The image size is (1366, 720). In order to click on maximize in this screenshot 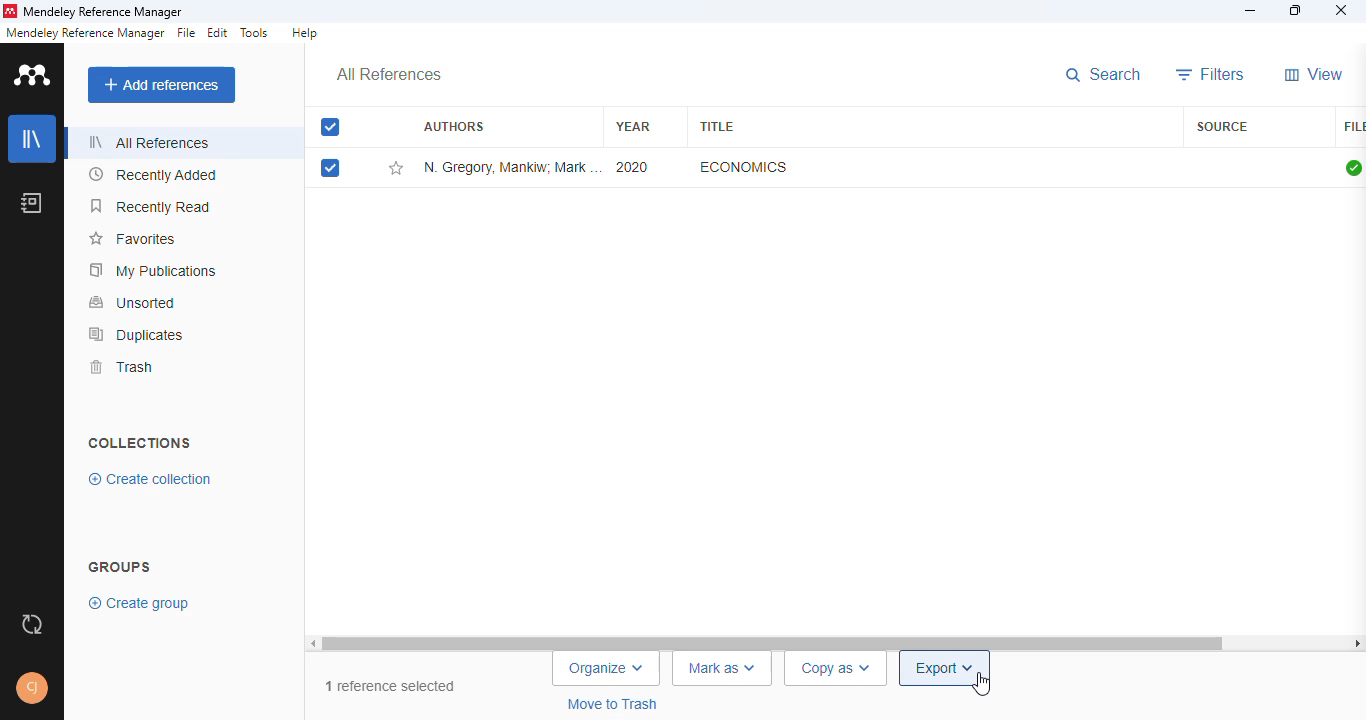, I will do `click(1296, 10)`.